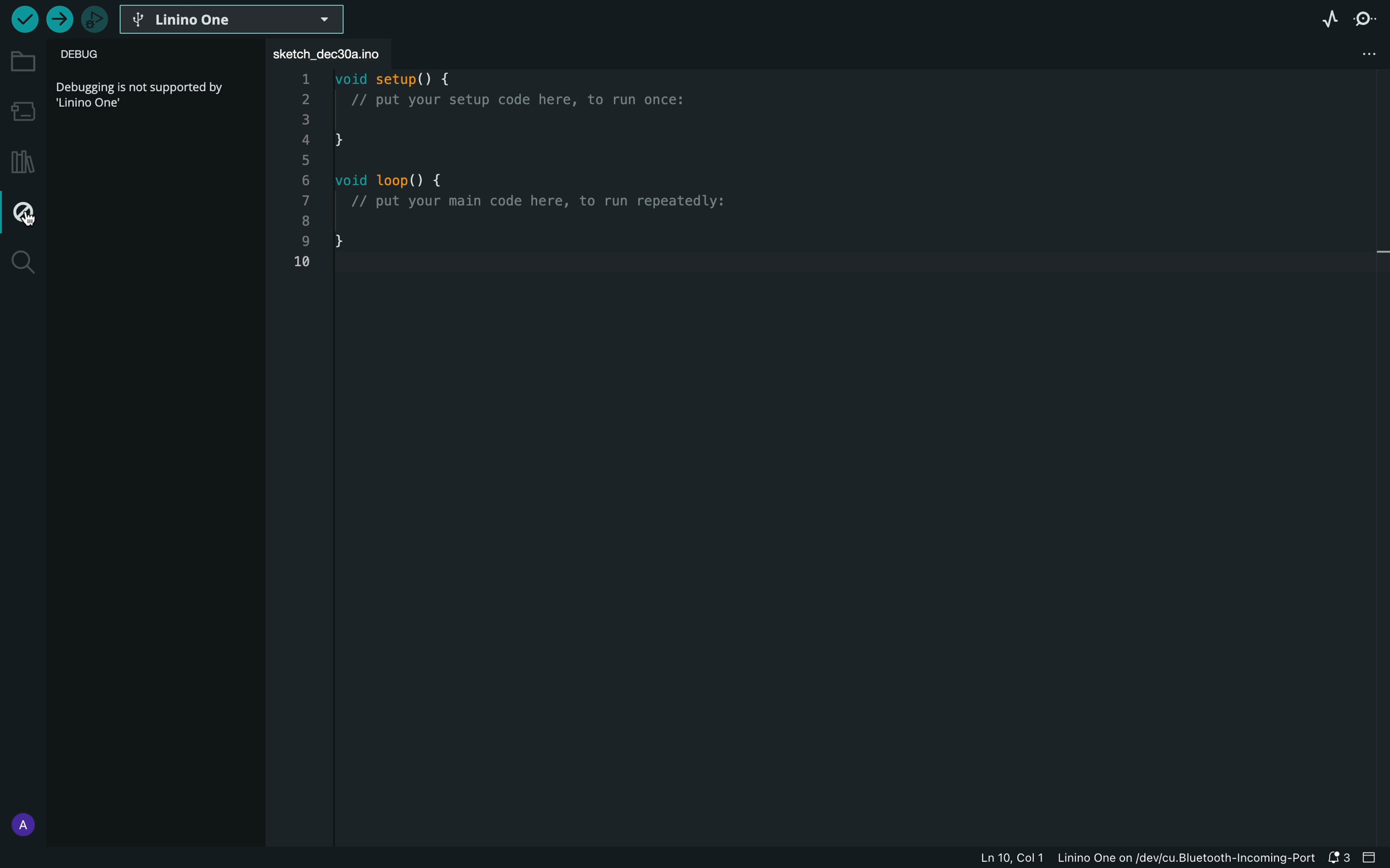 This screenshot has height=868, width=1390. What do you see at coordinates (96, 55) in the screenshot?
I see `debug` at bounding box center [96, 55].